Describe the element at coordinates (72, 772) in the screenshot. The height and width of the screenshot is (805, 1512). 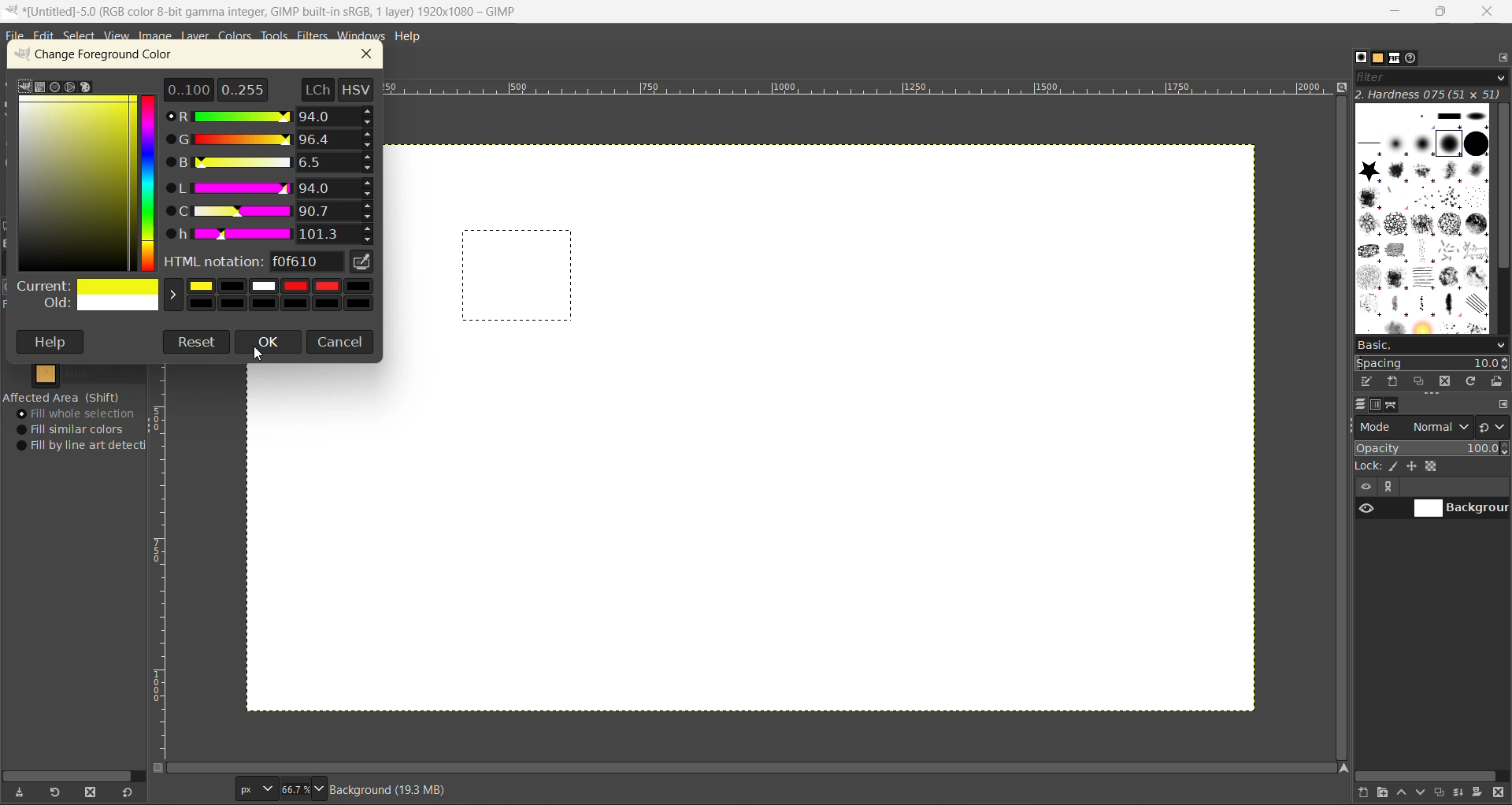
I see `horizontal scroll bar` at that location.